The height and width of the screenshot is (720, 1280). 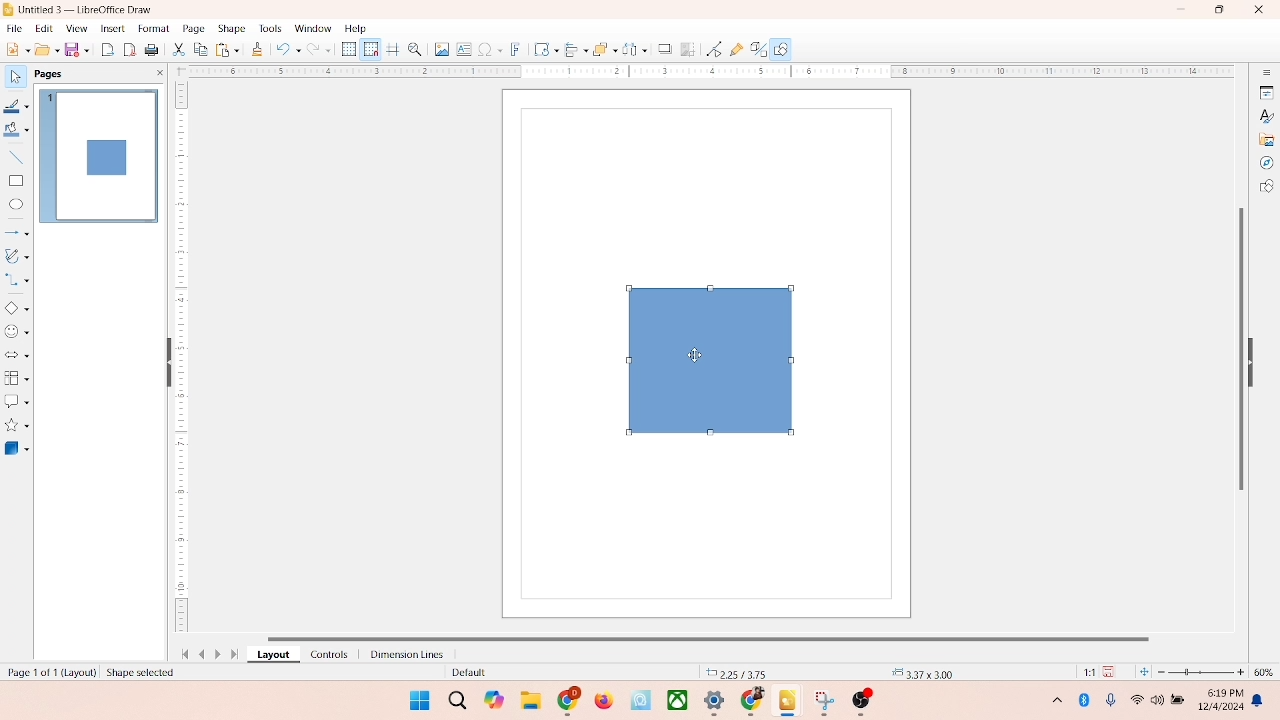 What do you see at coordinates (737, 671) in the screenshot?
I see `coordinates` at bounding box center [737, 671].